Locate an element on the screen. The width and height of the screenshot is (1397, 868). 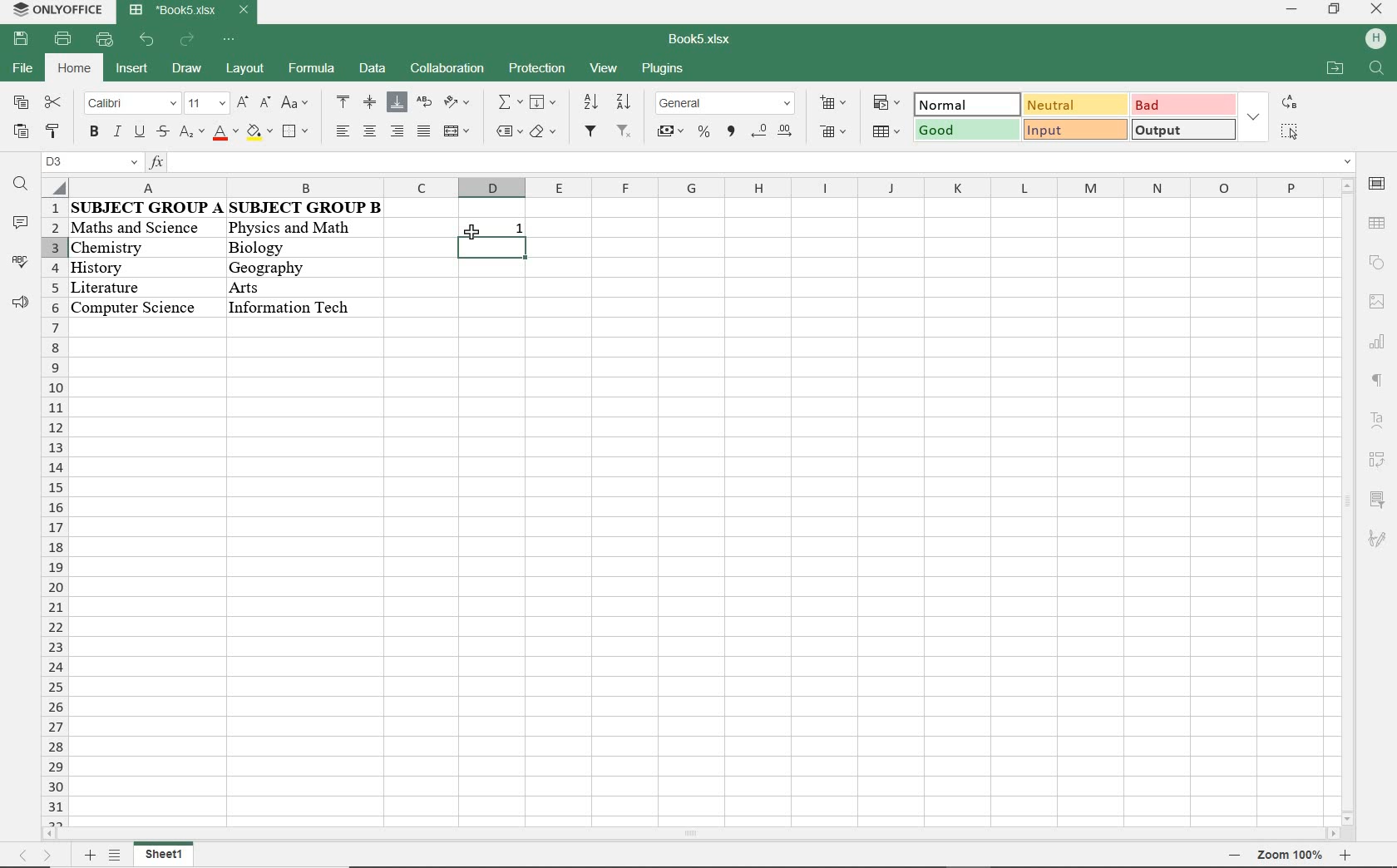
fill color is located at coordinates (260, 134).